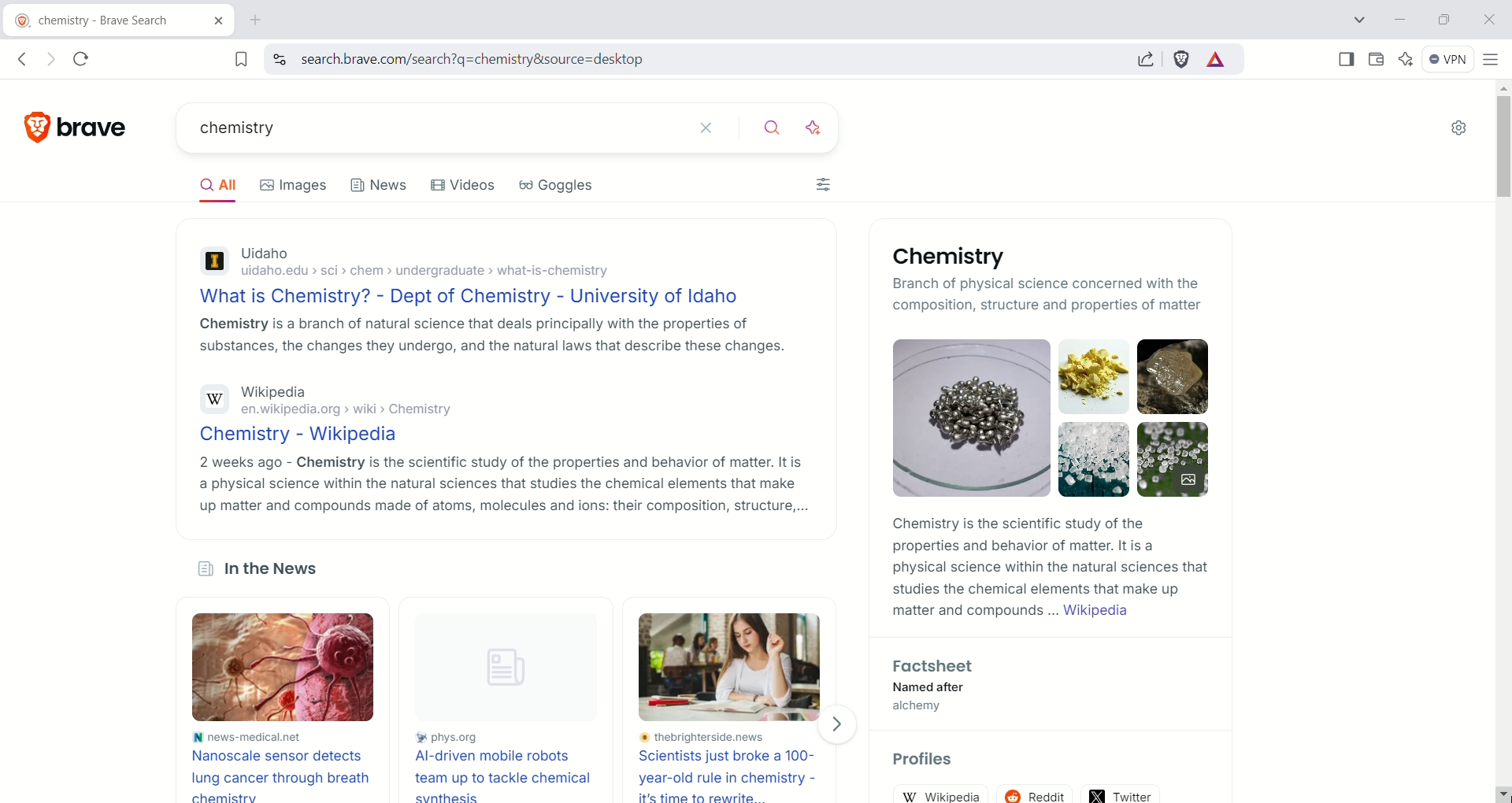 The height and width of the screenshot is (803, 1512). I want to click on go back, so click(21, 60).